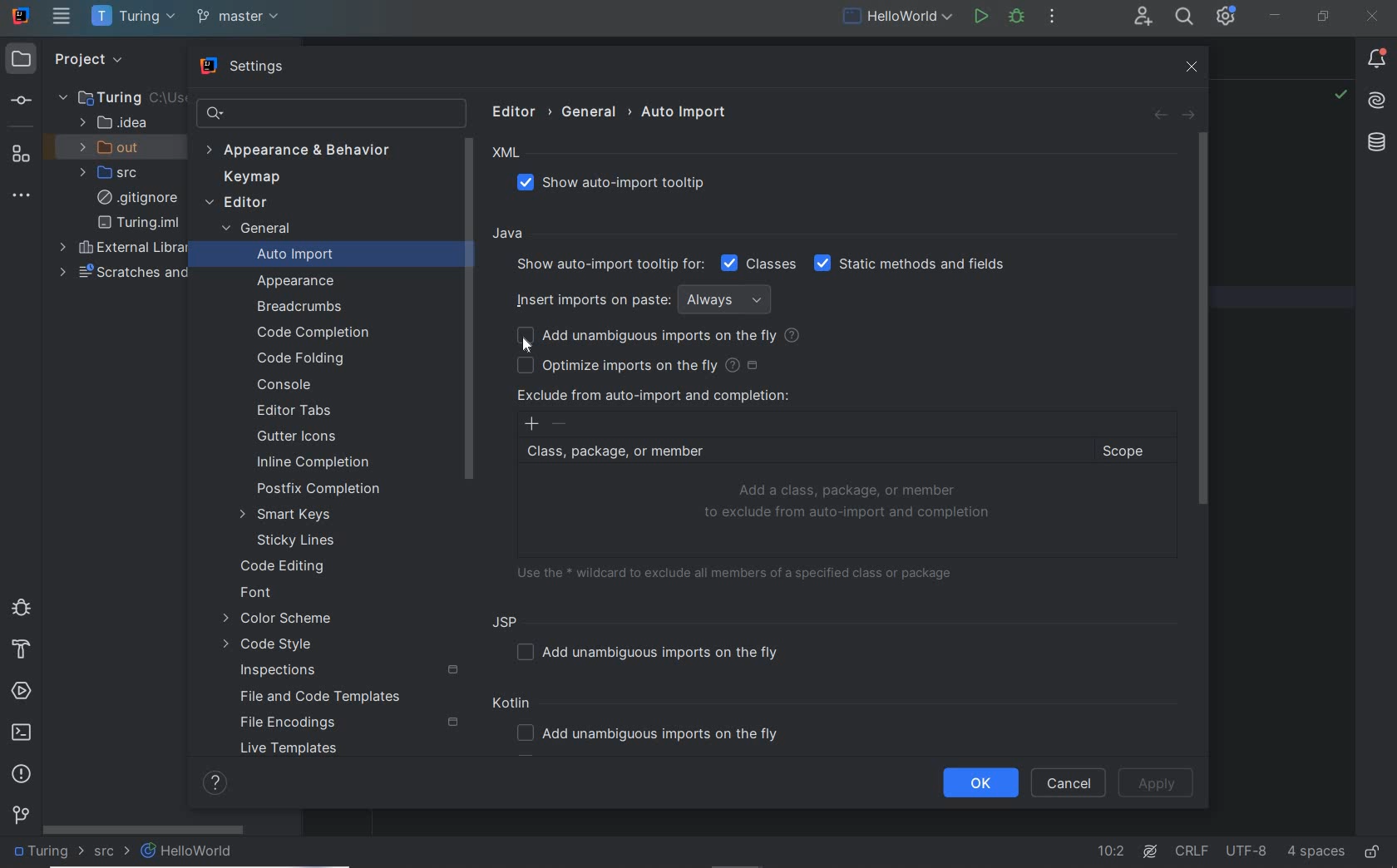 This screenshot has width=1397, height=868. Describe the element at coordinates (560, 424) in the screenshot. I see `REMOVE` at that location.